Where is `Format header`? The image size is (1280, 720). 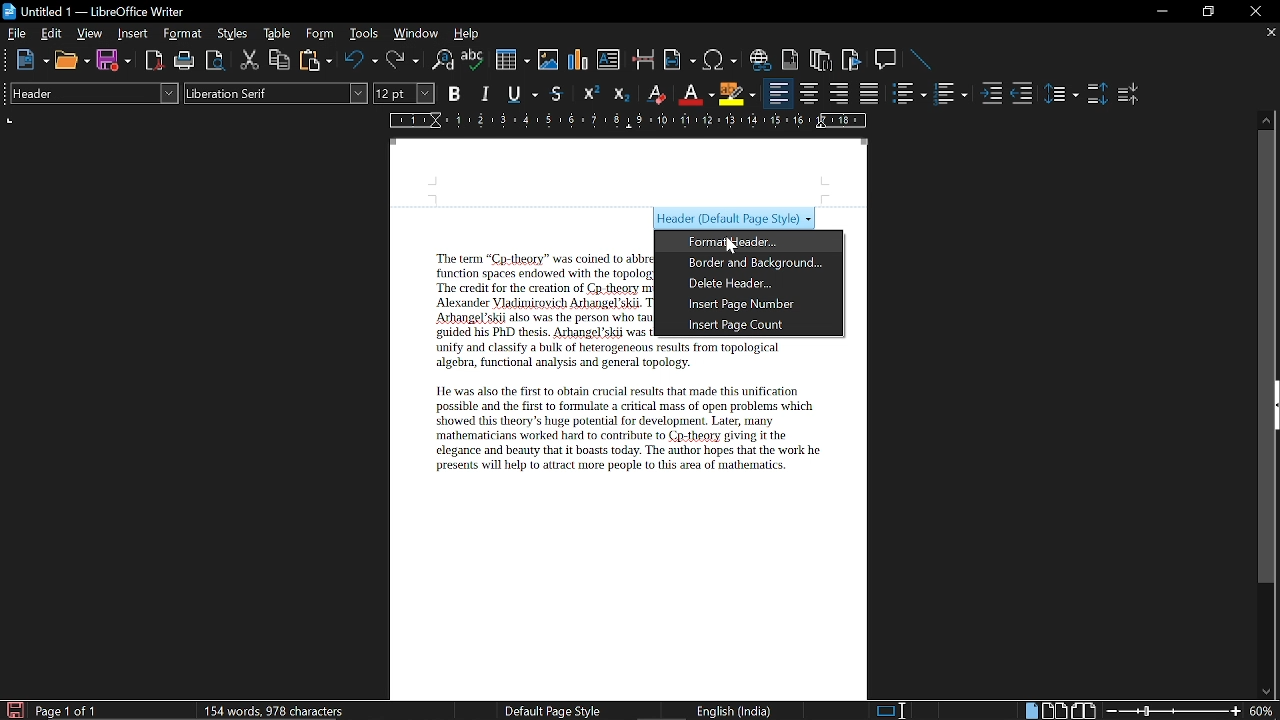 Format header is located at coordinates (737, 243).